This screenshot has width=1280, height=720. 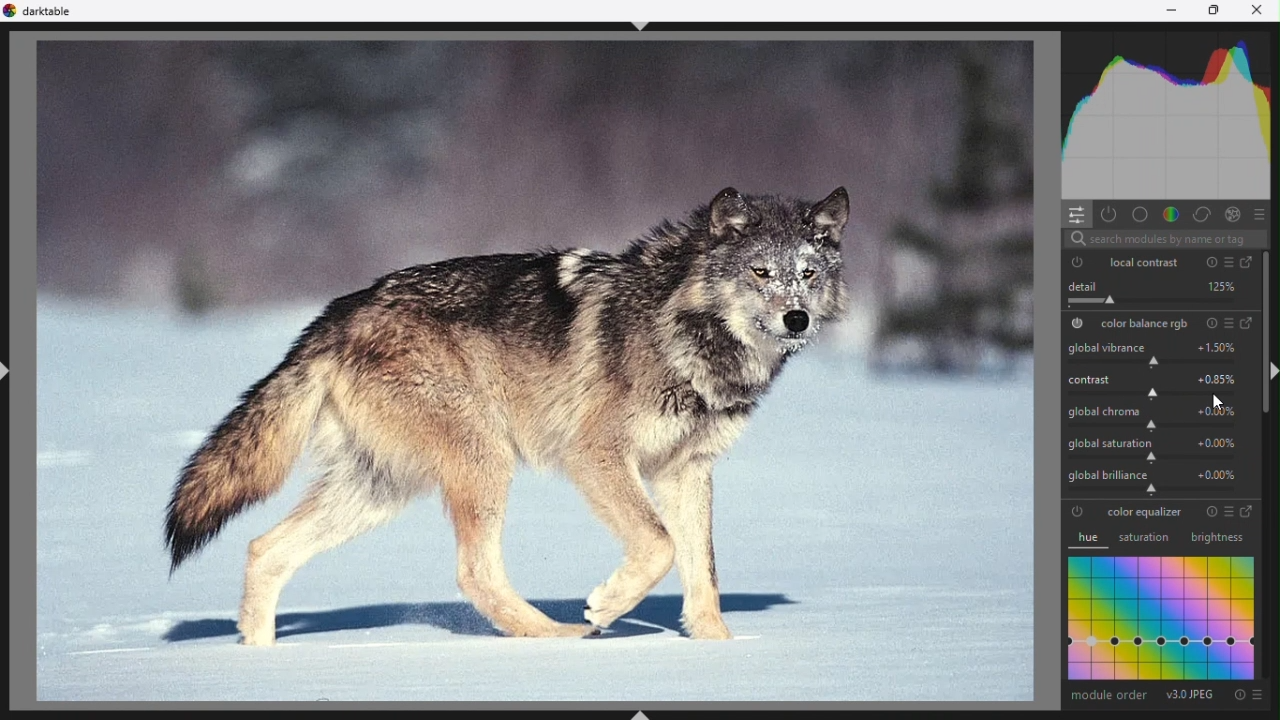 What do you see at coordinates (1227, 261) in the screenshot?
I see `presets` at bounding box center [1227, 261].